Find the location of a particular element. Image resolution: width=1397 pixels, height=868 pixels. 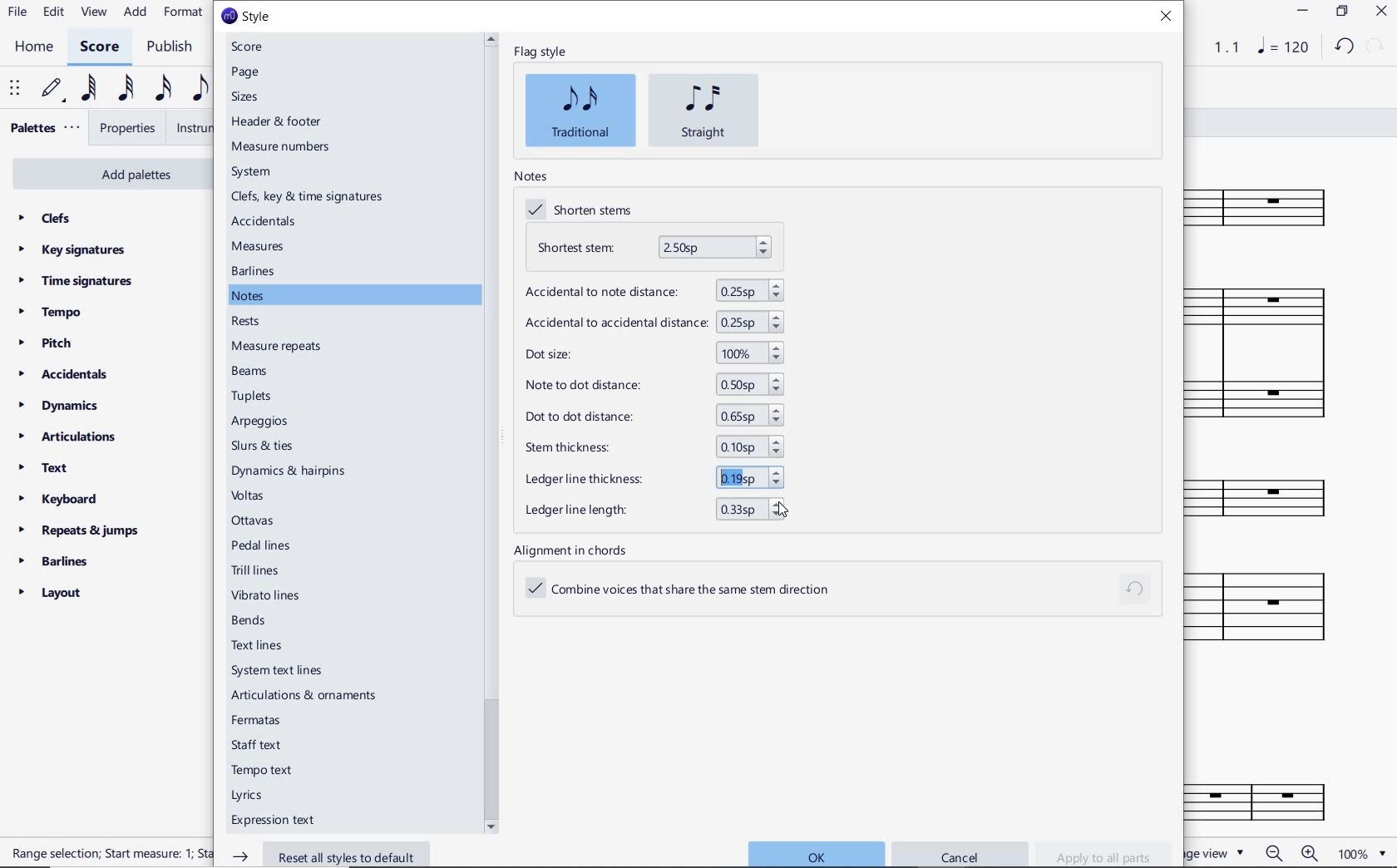

ottavas is located at coordinates (259, 520).